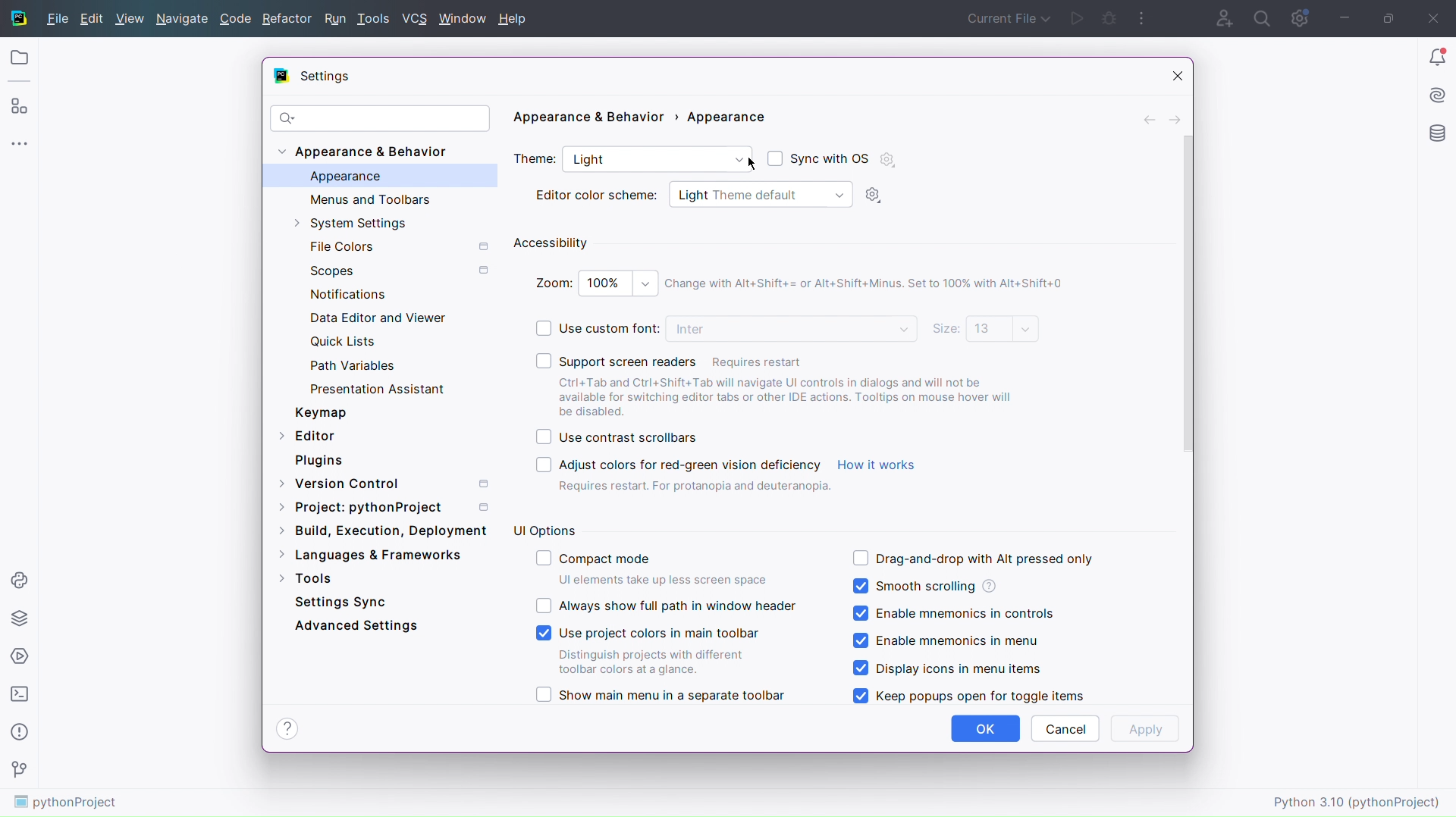 Image resolution: width=1456 pixels, height=817 pixels. Describe the element at coordinates (18, 734) in the screenshot. I see `Problems` at that location.